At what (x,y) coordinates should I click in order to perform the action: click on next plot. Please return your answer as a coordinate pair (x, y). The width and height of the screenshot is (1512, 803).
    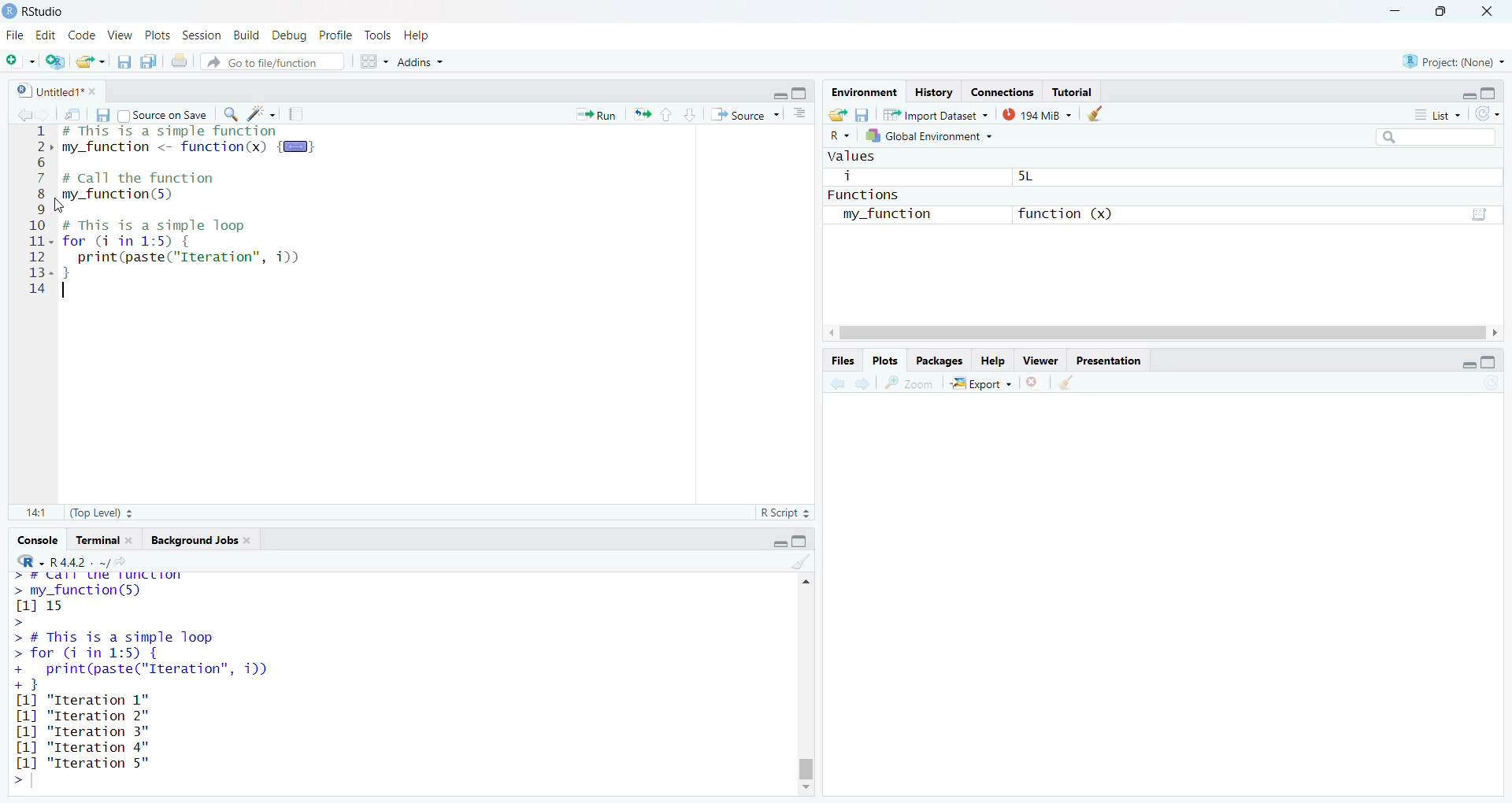
    Looking at the image, I should click on (865, 384).